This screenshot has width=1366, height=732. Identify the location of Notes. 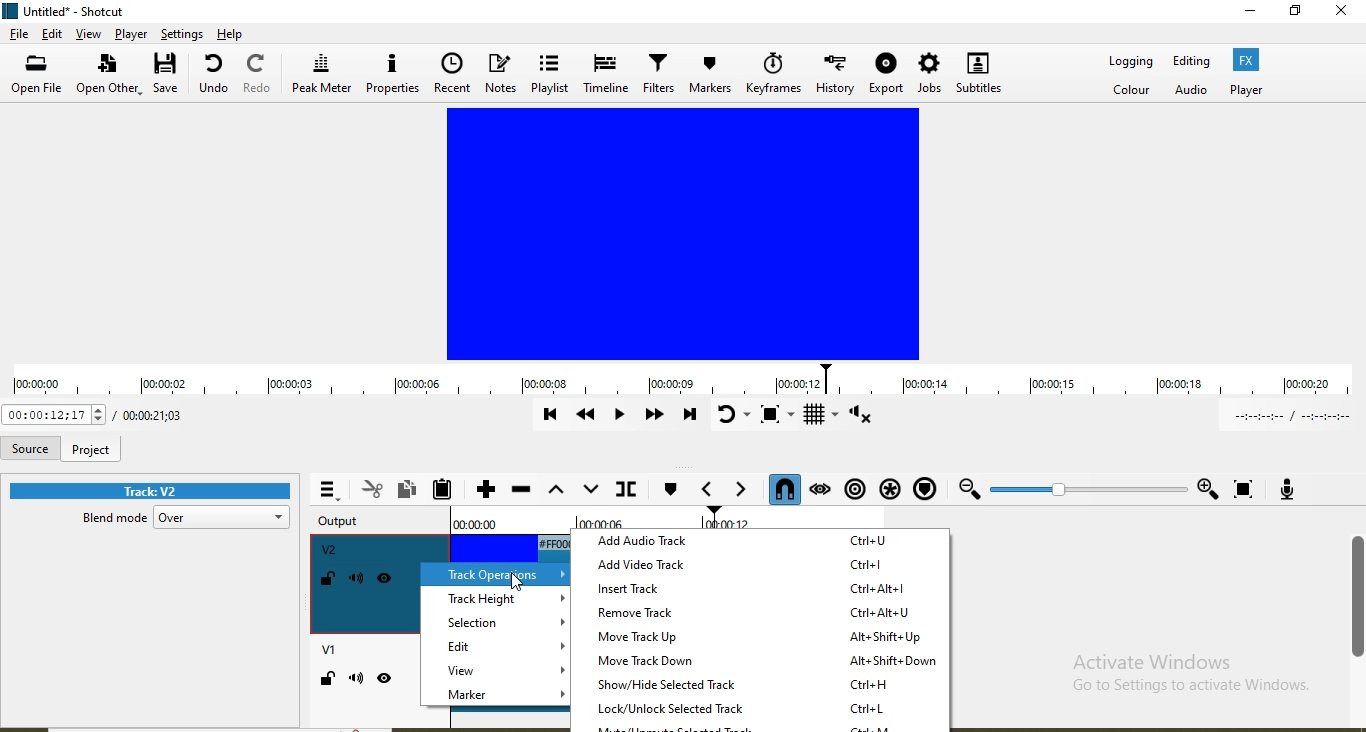
(500, 74).